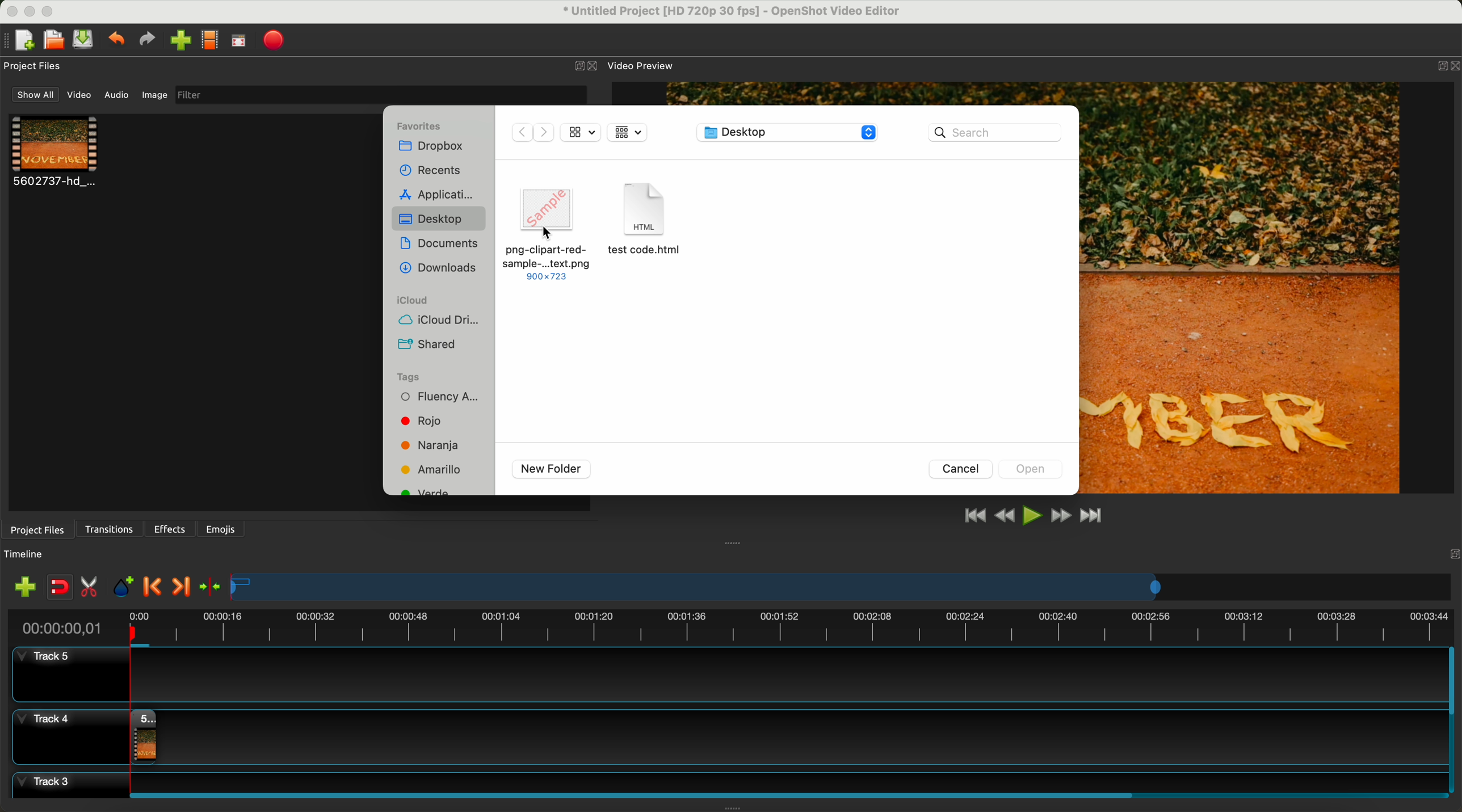  I want to click on BUTTON, so click(1439, 63).